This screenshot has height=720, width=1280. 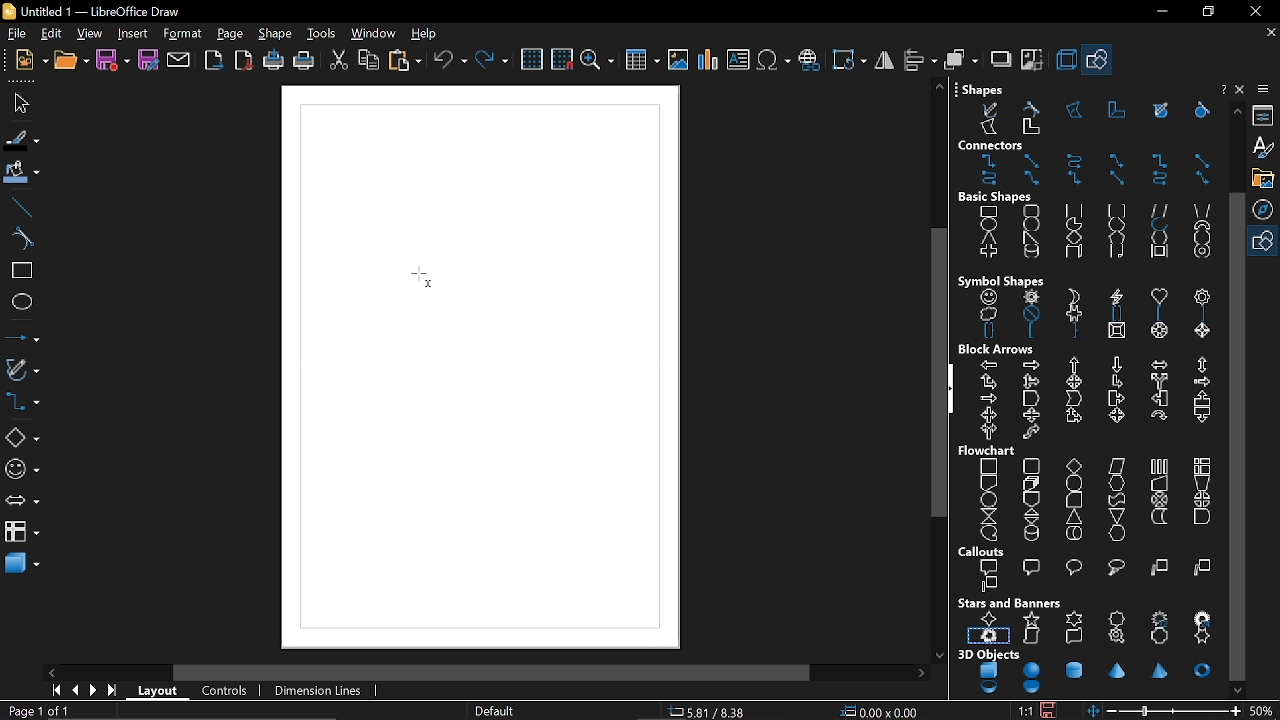 What do you see at coordinates (245, 60) in the screenshot?
I see `export as pdf` at bounding box center [245, 60].